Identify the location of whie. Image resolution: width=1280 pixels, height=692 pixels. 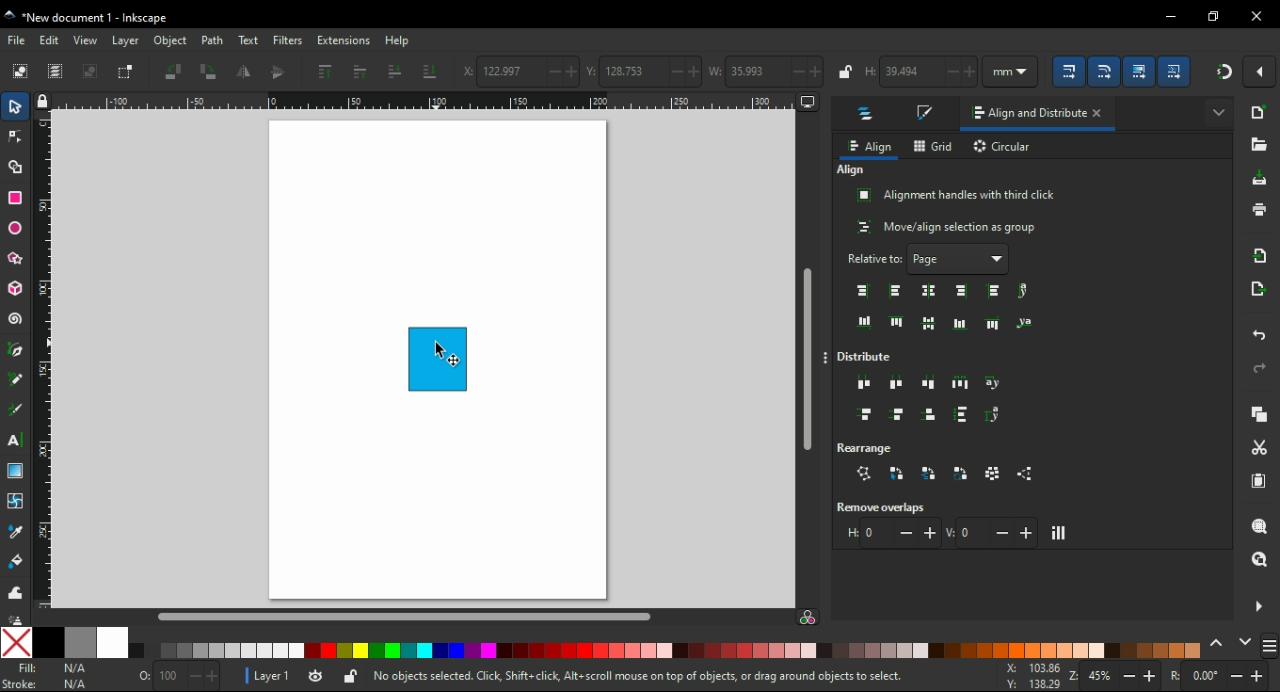
(115, 643).